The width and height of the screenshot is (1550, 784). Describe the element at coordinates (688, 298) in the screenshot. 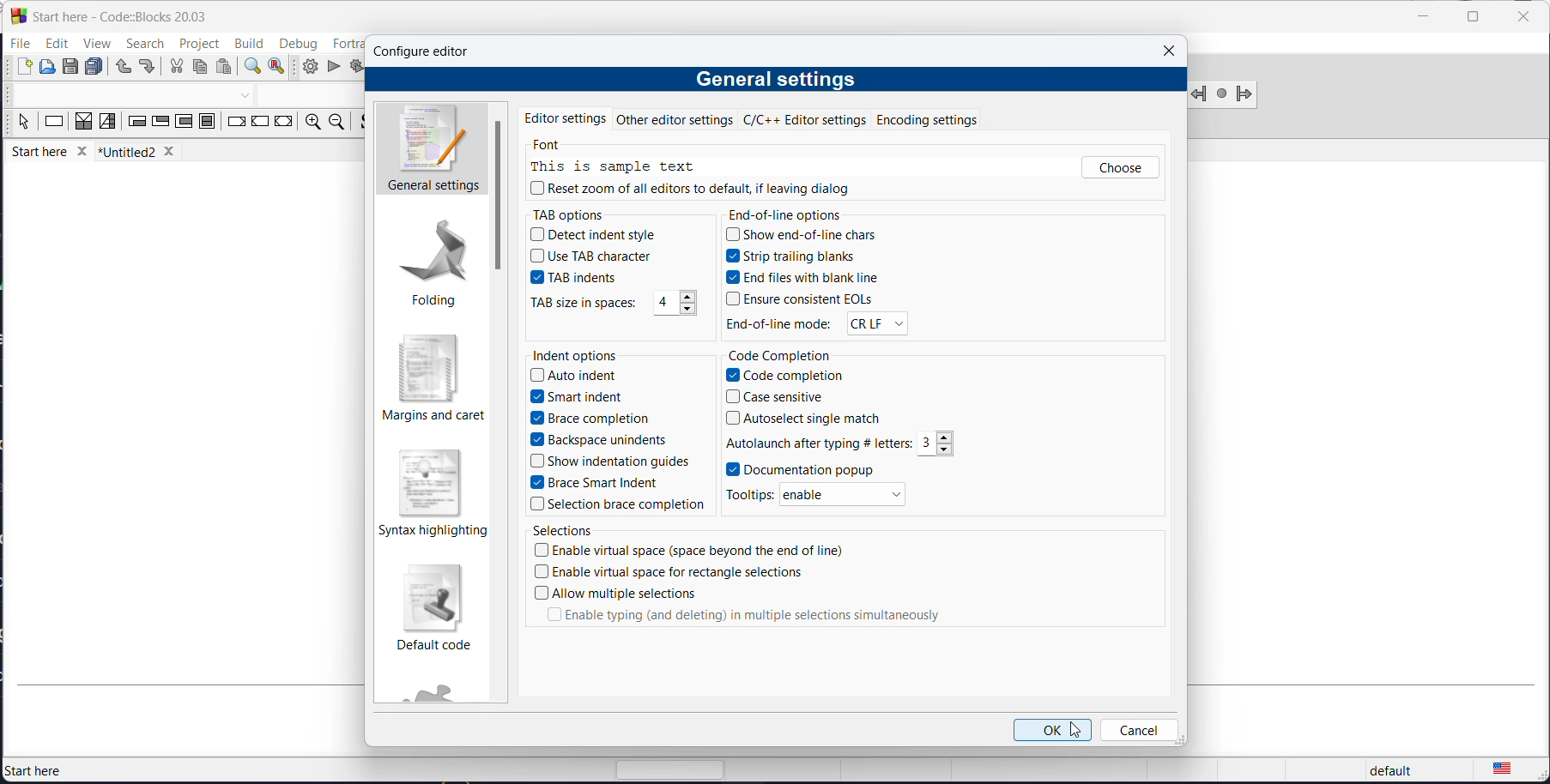

I see `increment tab size n spaces` at that location.